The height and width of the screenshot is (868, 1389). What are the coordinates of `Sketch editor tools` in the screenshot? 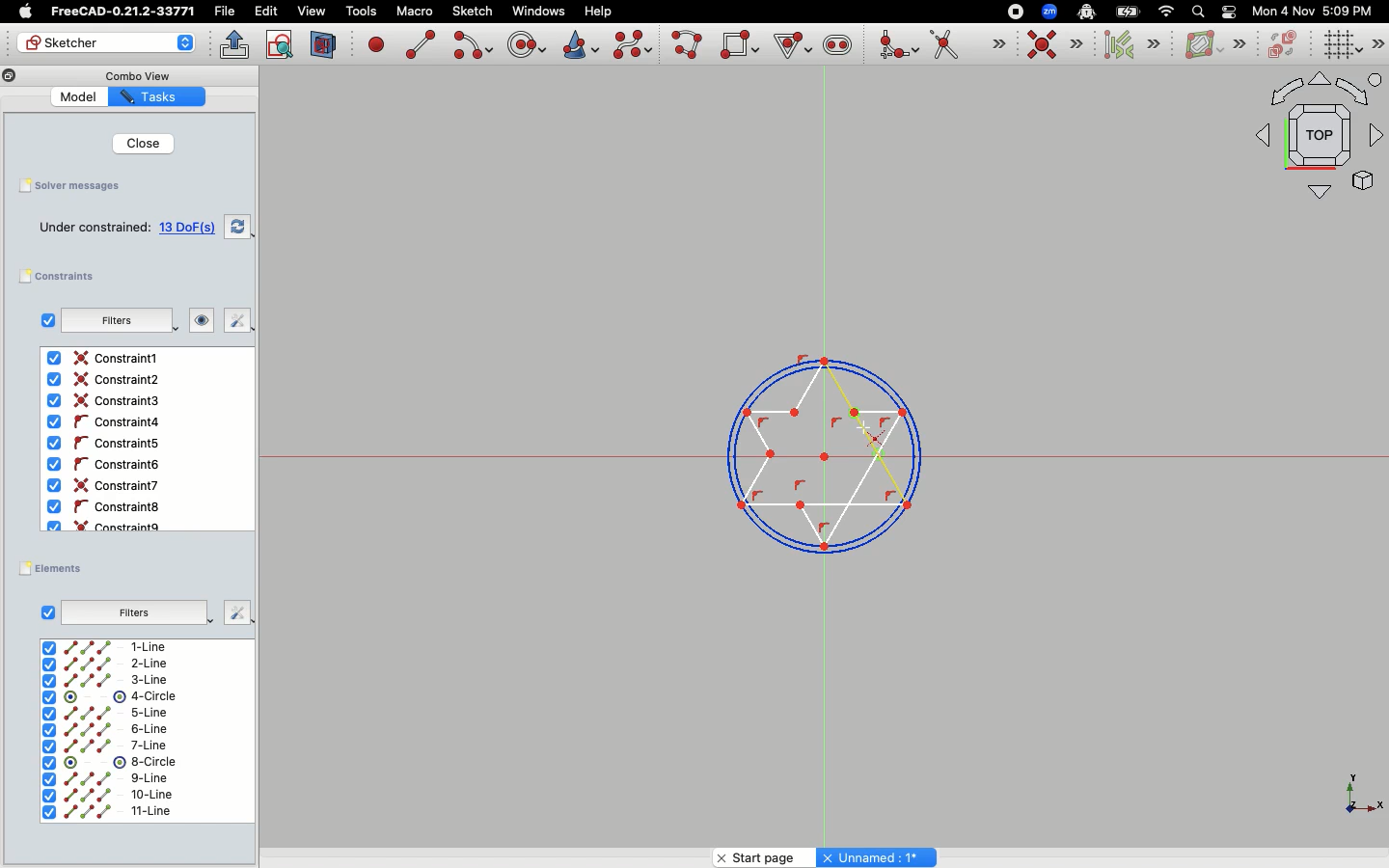 It's located at (1376, 43).